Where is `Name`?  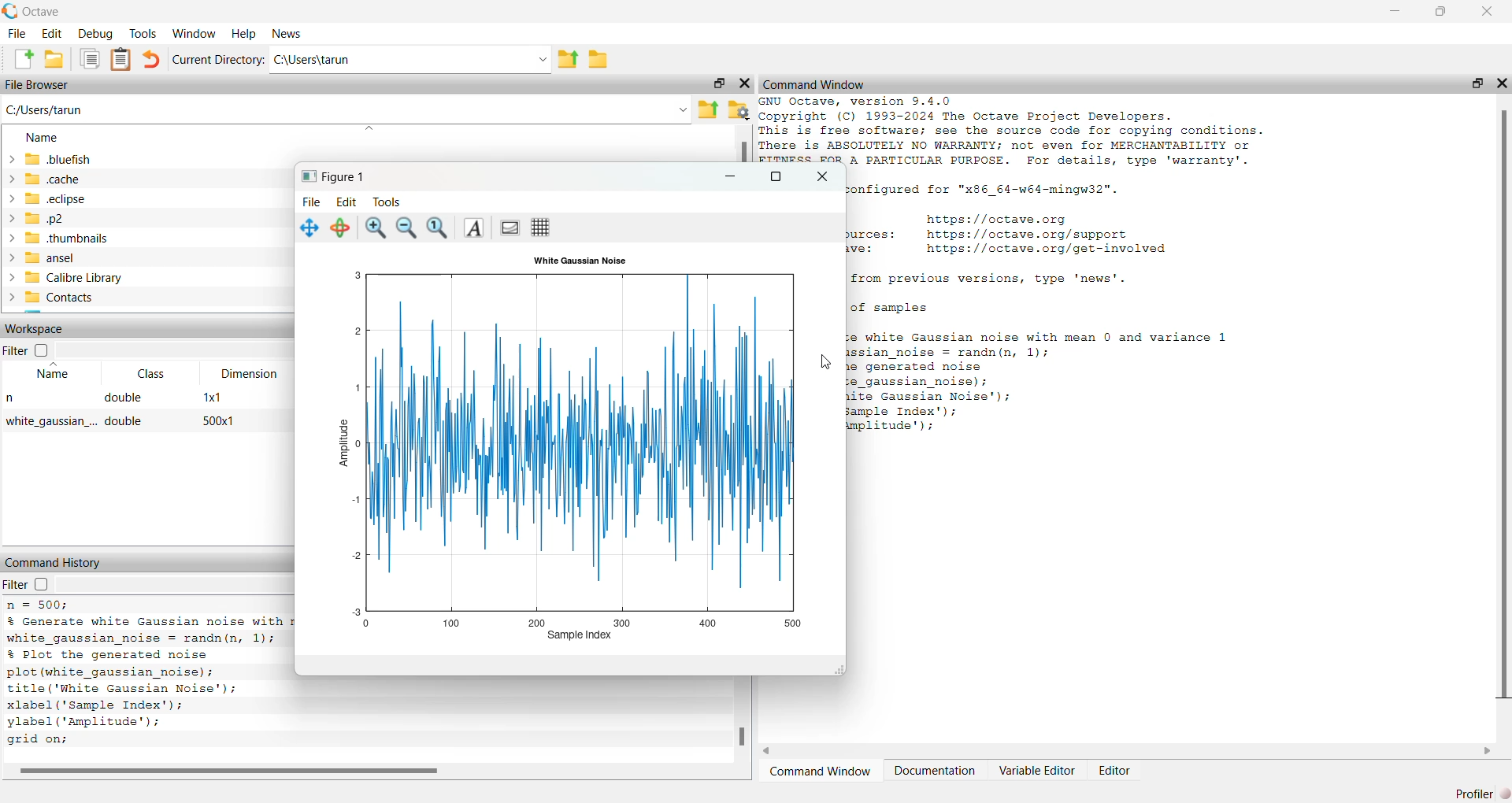
Name is located at coordinates (54, 373).